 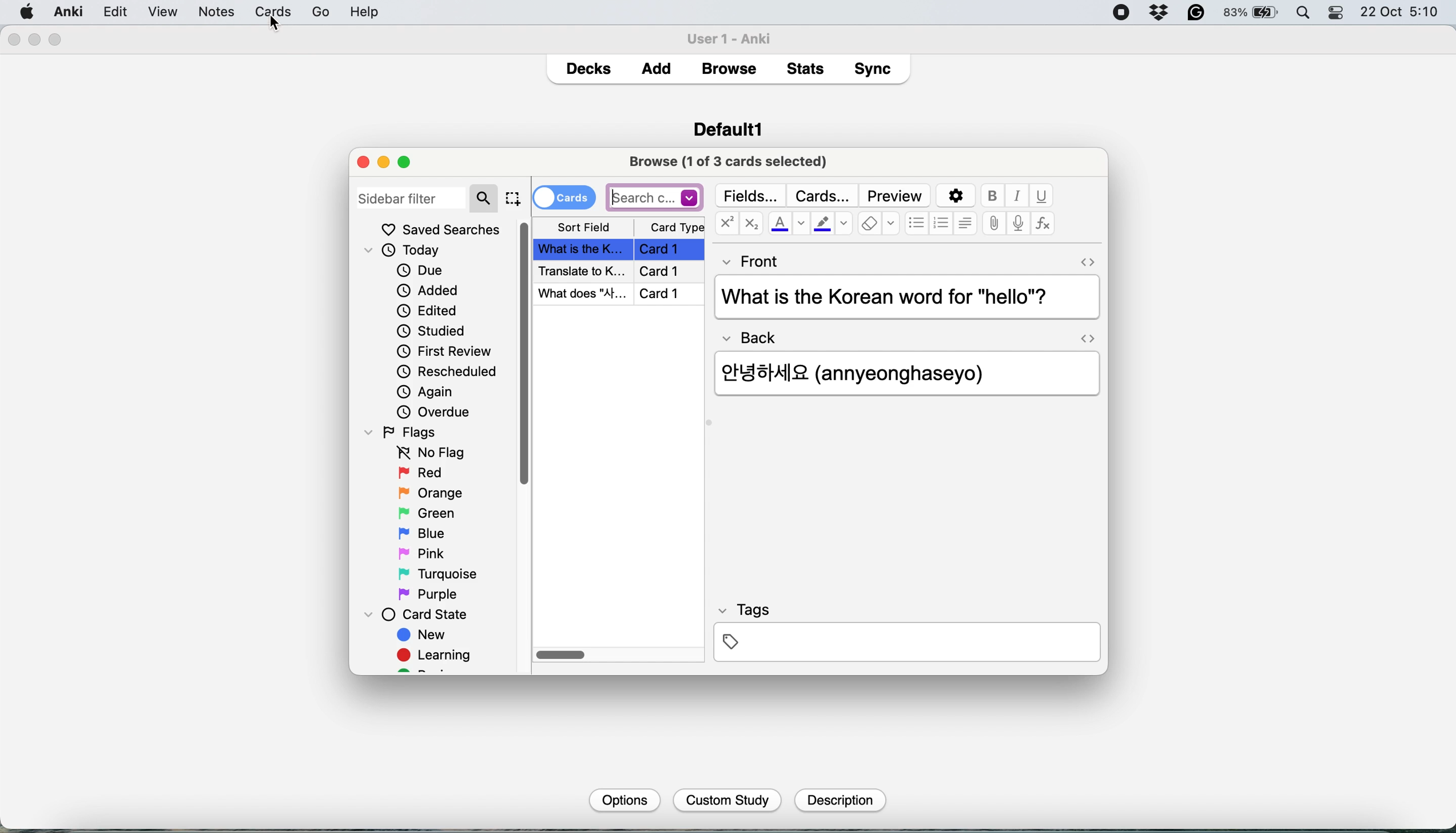 What do you see at coordinates (735, 37) in the screenshot?
I see `user 1 - Anki` at bounding box center [735, 37].